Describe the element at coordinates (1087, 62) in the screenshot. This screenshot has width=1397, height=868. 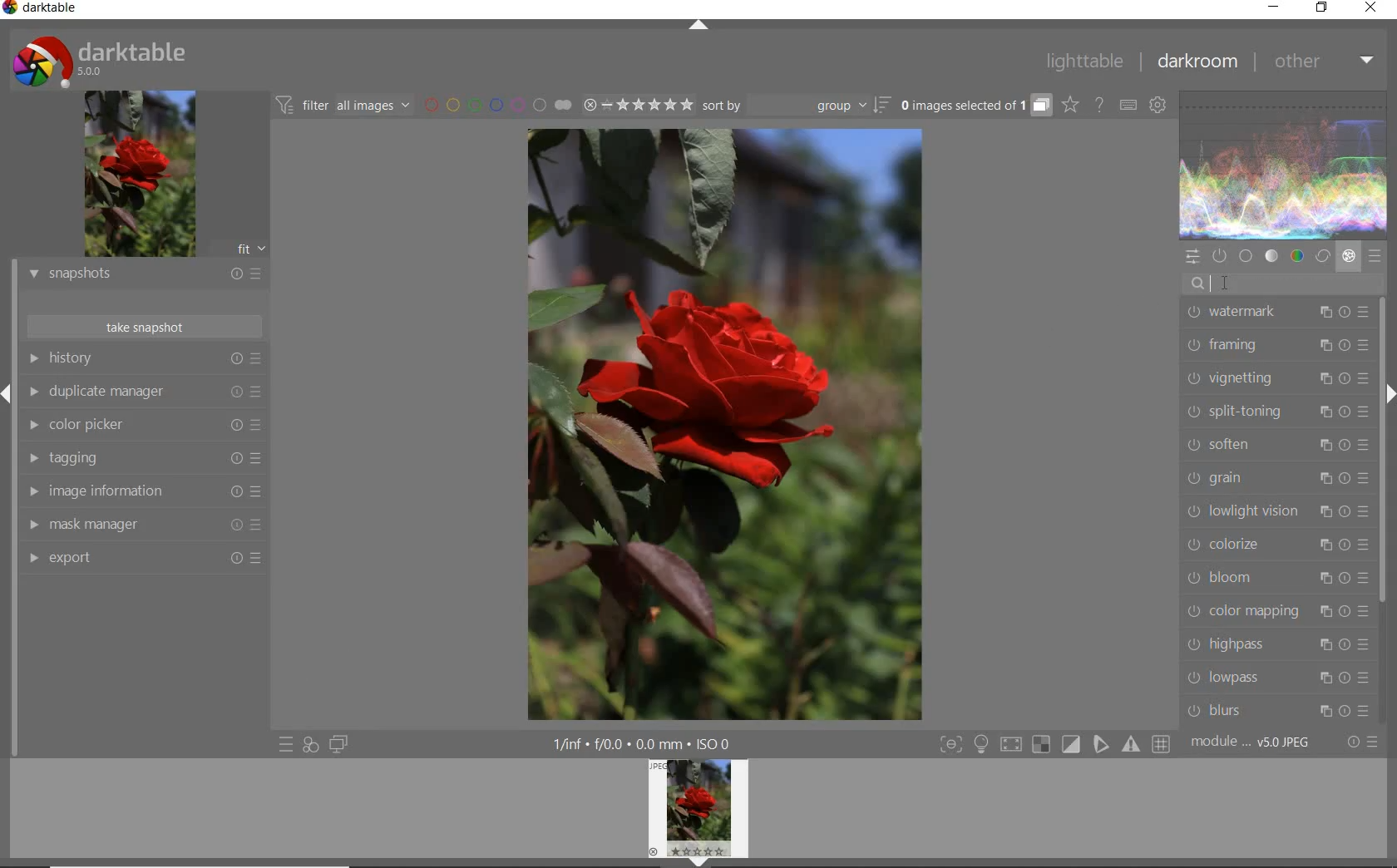
I see `lighttable` at that location.